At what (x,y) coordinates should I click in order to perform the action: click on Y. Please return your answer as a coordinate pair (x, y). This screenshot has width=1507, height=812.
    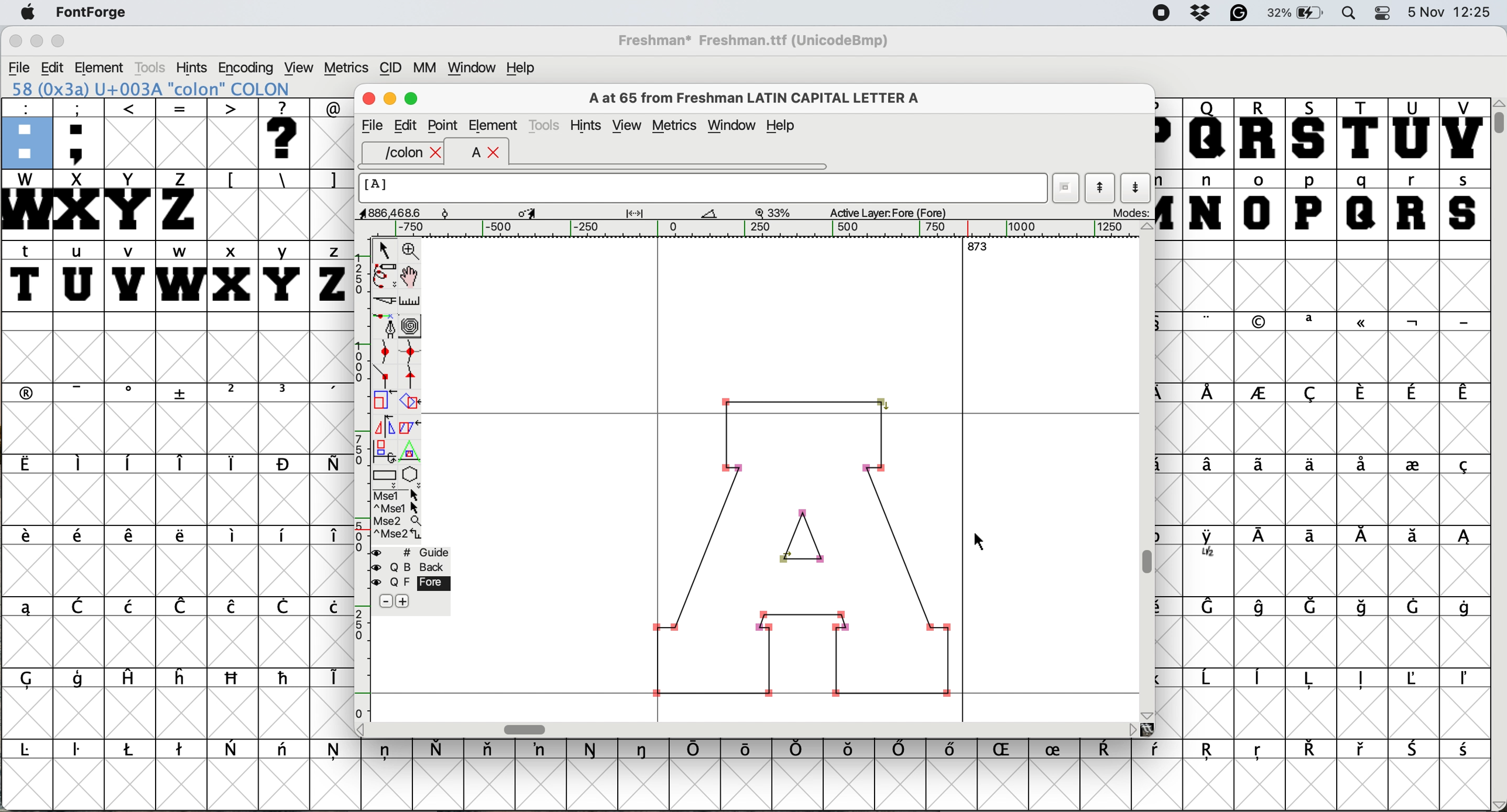
    Looking at the image, I should click on (130, 204).